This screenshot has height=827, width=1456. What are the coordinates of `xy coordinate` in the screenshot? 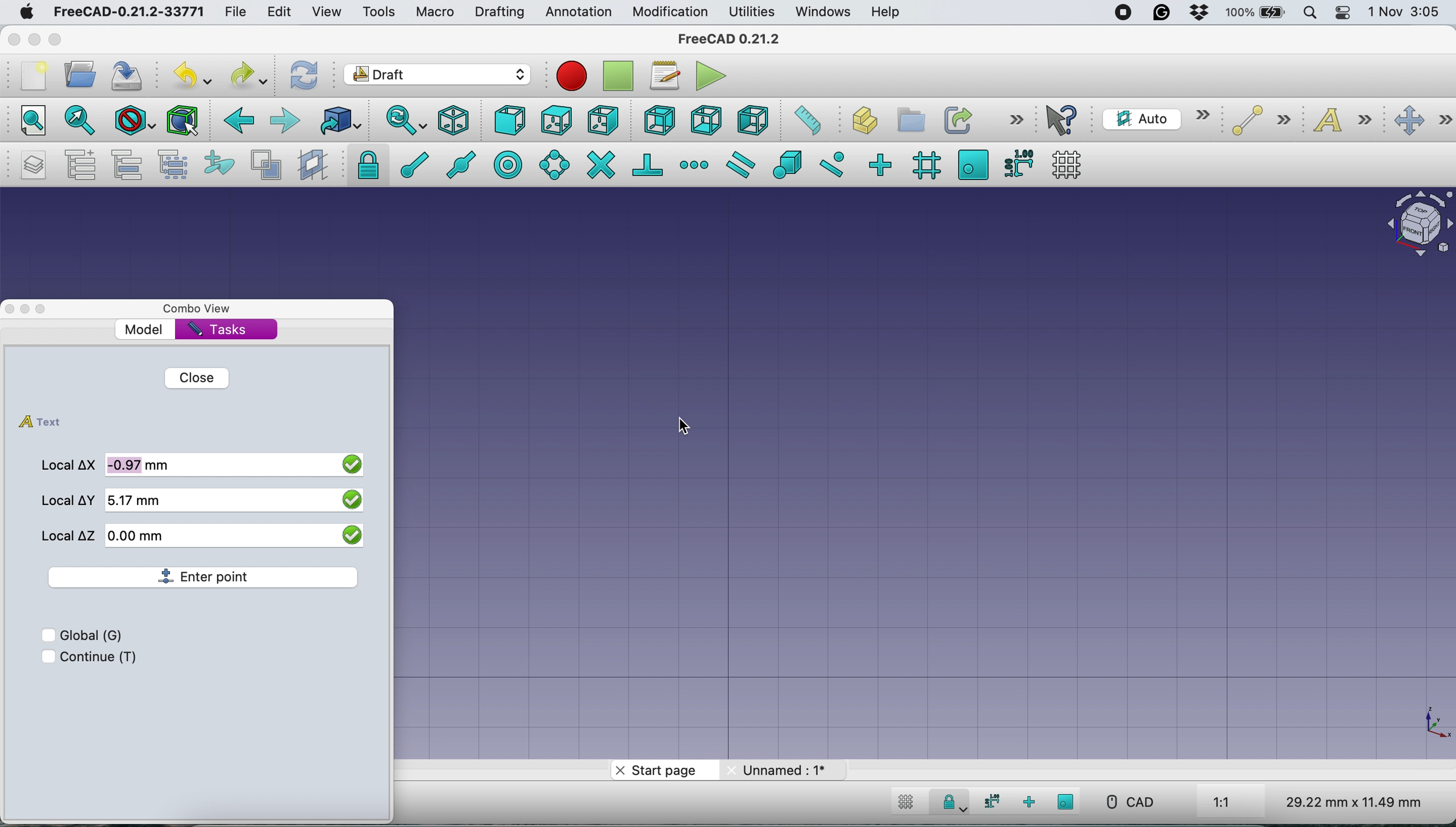 It's located at (1426, 721).